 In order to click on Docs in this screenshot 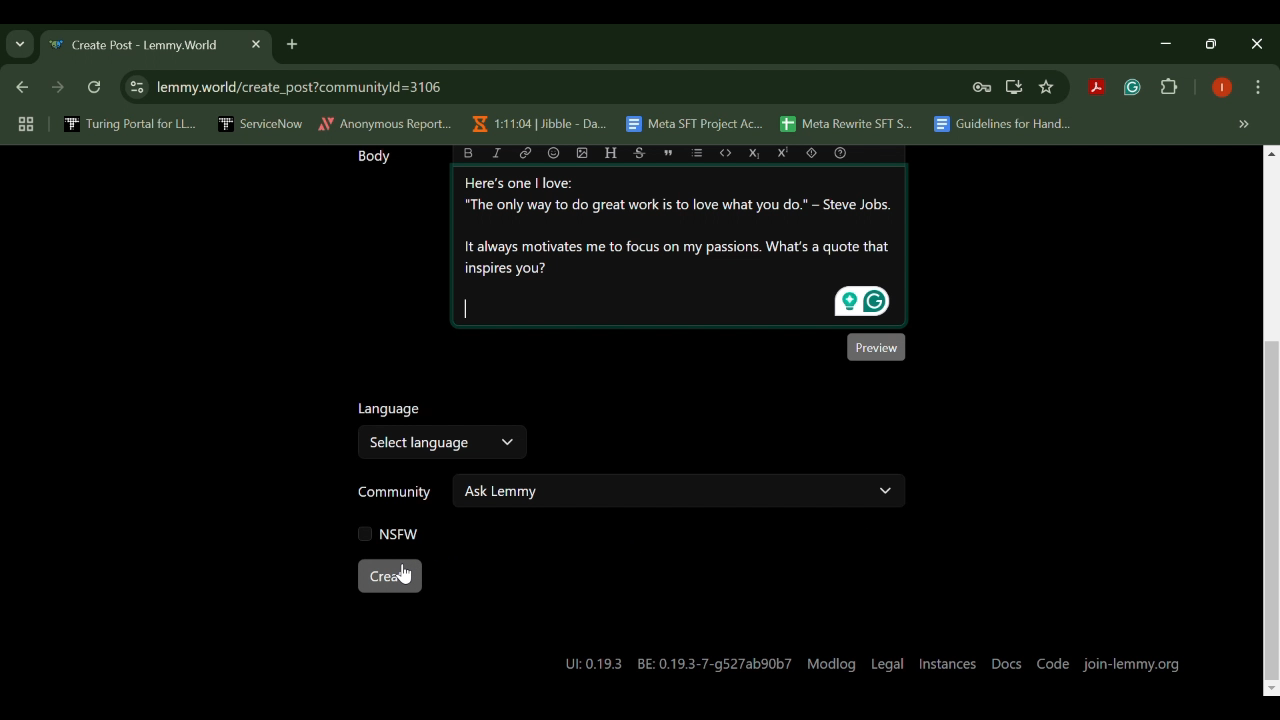, I will do `click(1007, 662)`.